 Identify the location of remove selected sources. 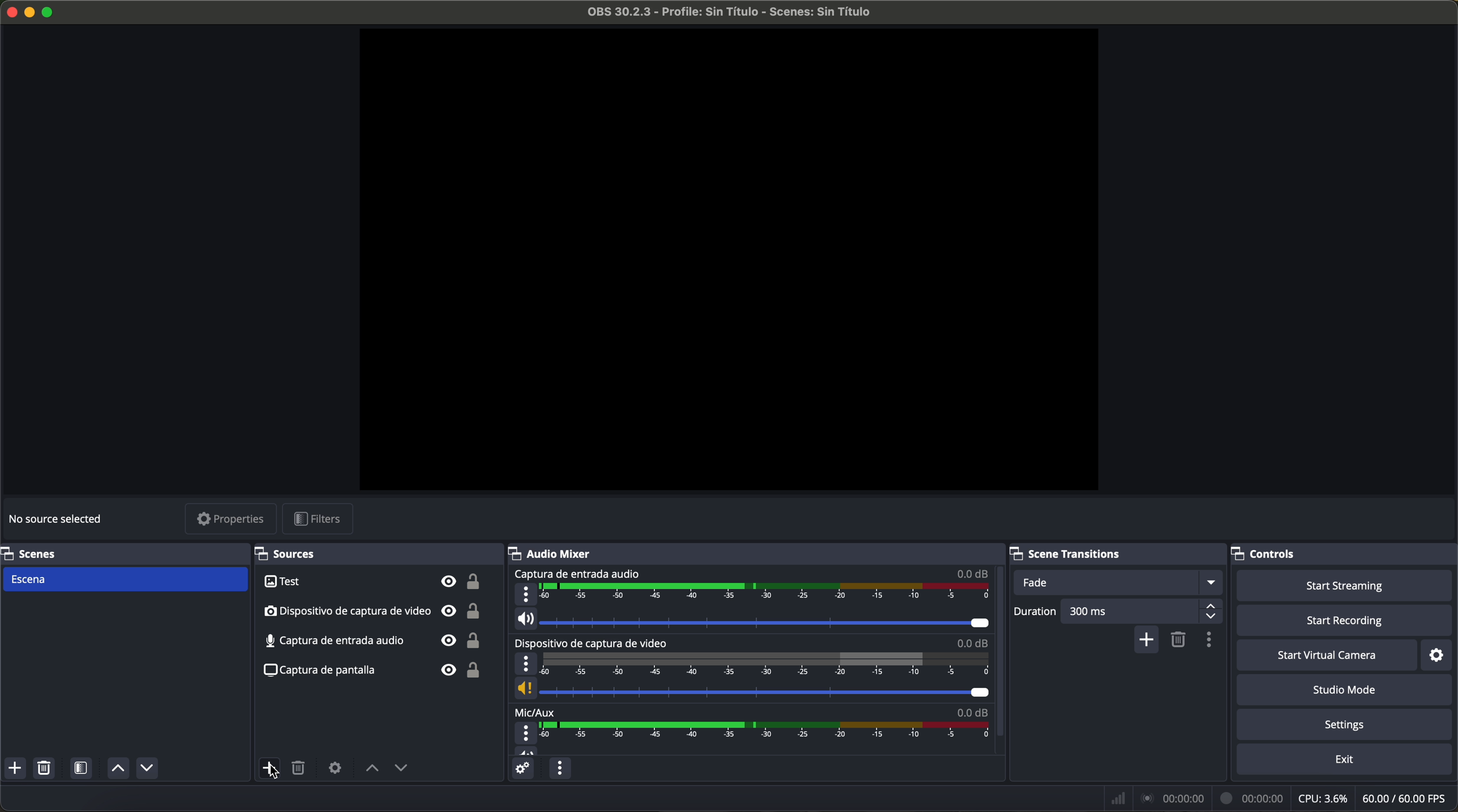
(301, 769).